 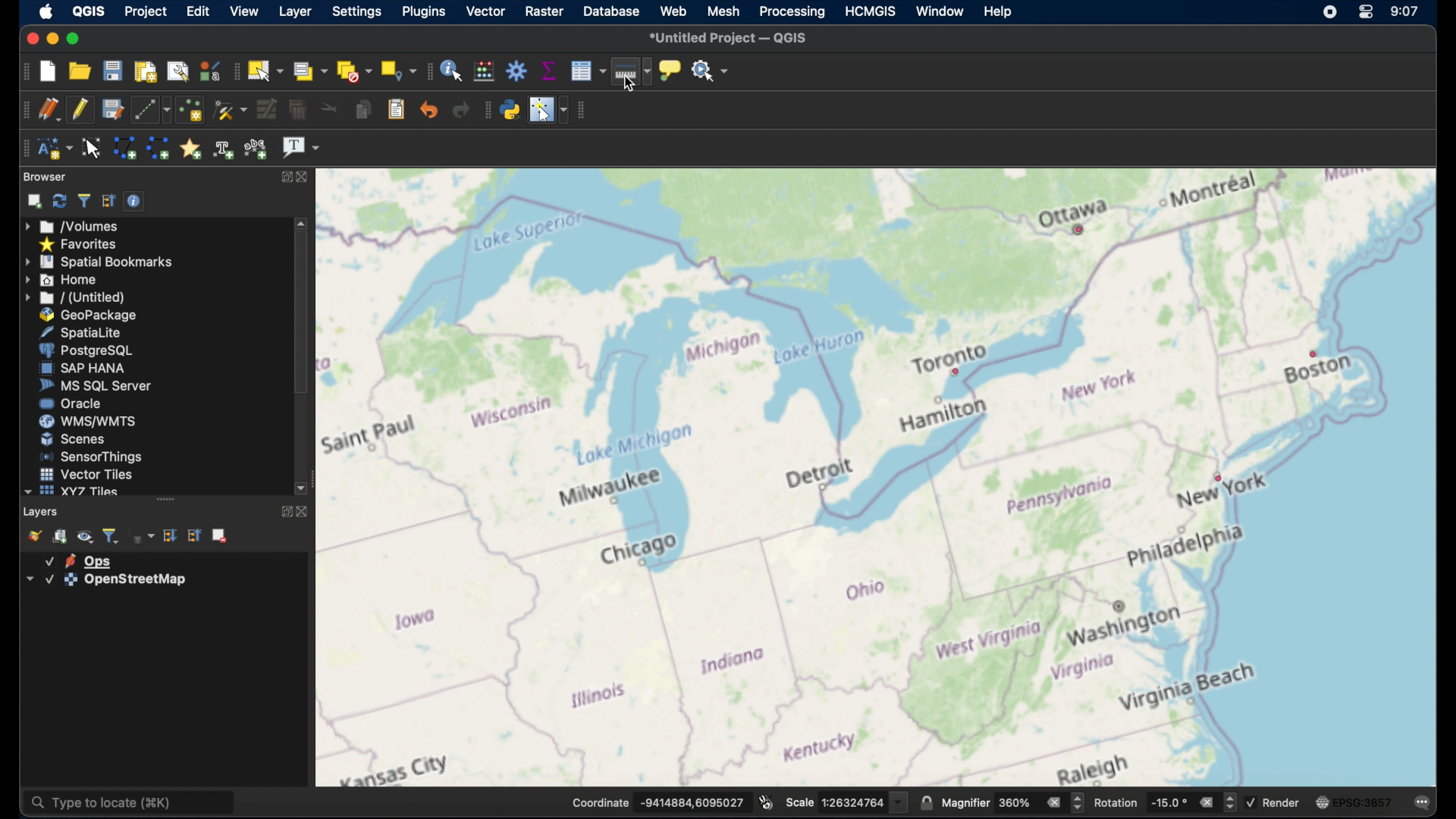 What do you see at coordinates (1164, 801) in the screenshot?
I see `rotation` at bounding box center [1164, 801].